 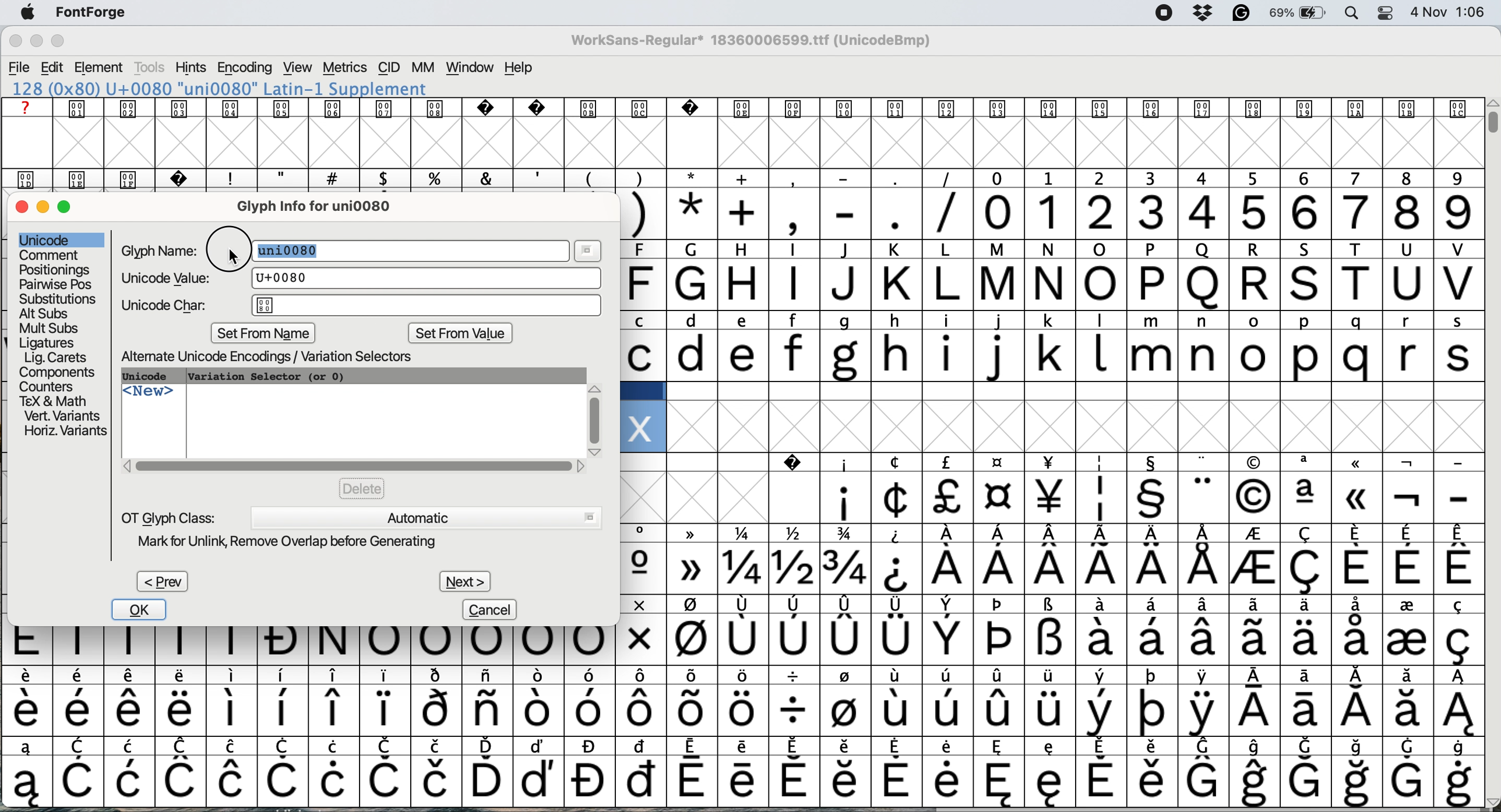 What do you see at coordinates (357, 278) in the screenshot?
I see `unicode value` at bounding box center [357, 278].